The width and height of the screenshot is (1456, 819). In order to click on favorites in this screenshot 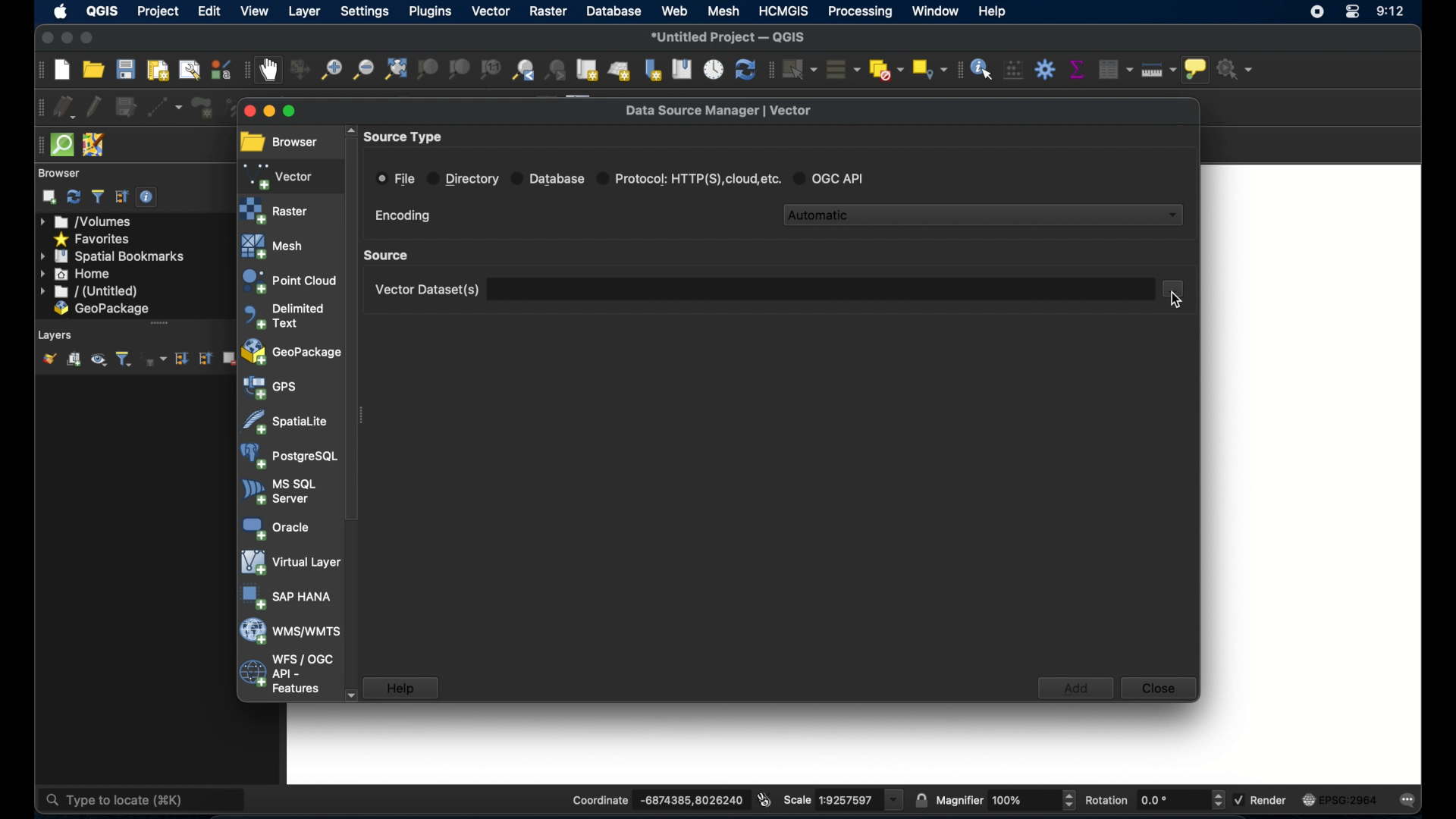, I will do `click(93, 238)`.